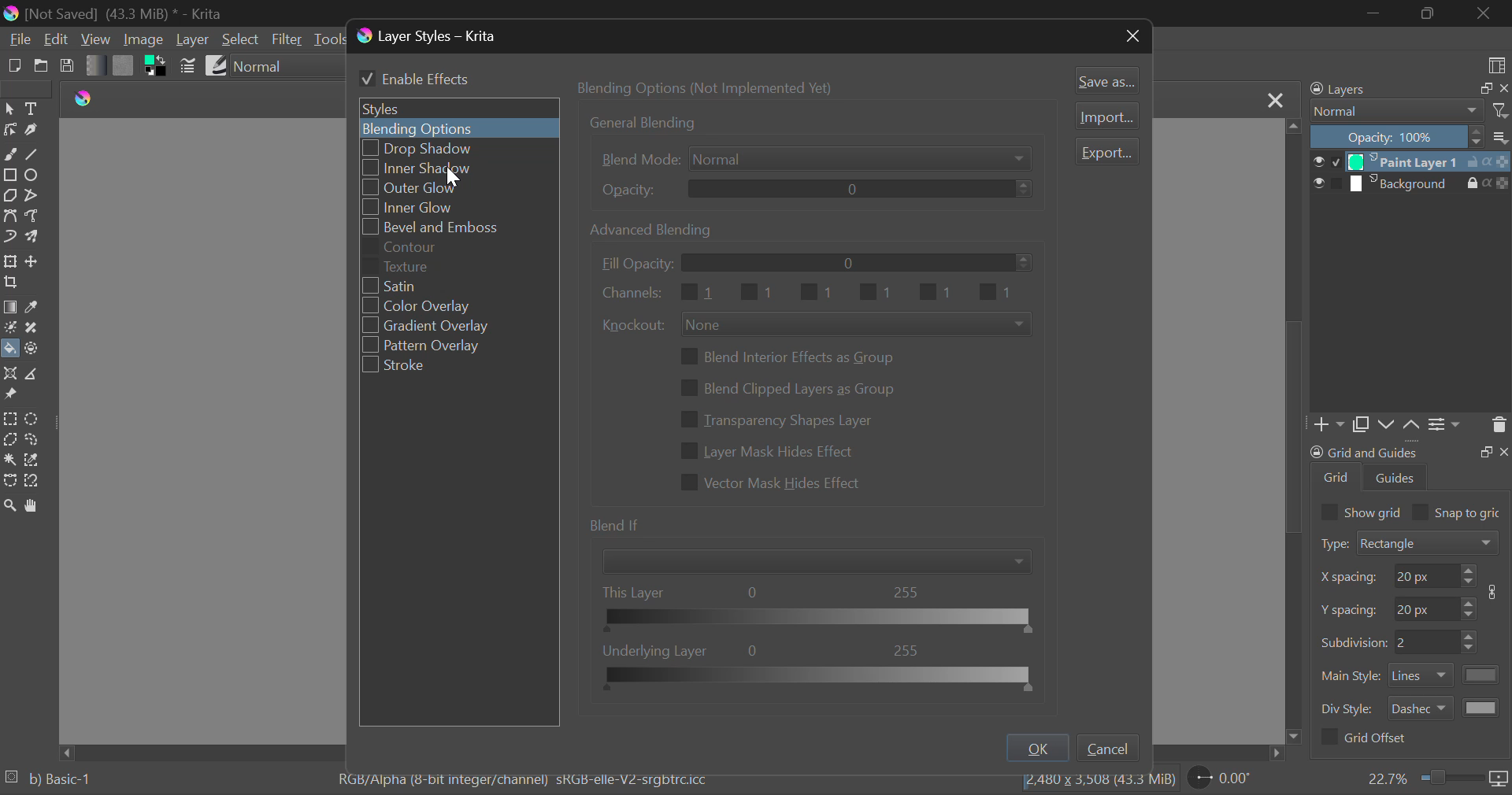 Image resolution: width=1512 pixels, height=795 pixels. What do you see at coordinates (9, 194) in the screenshot?
I see `Polygon` at bounding box center [9, 194].